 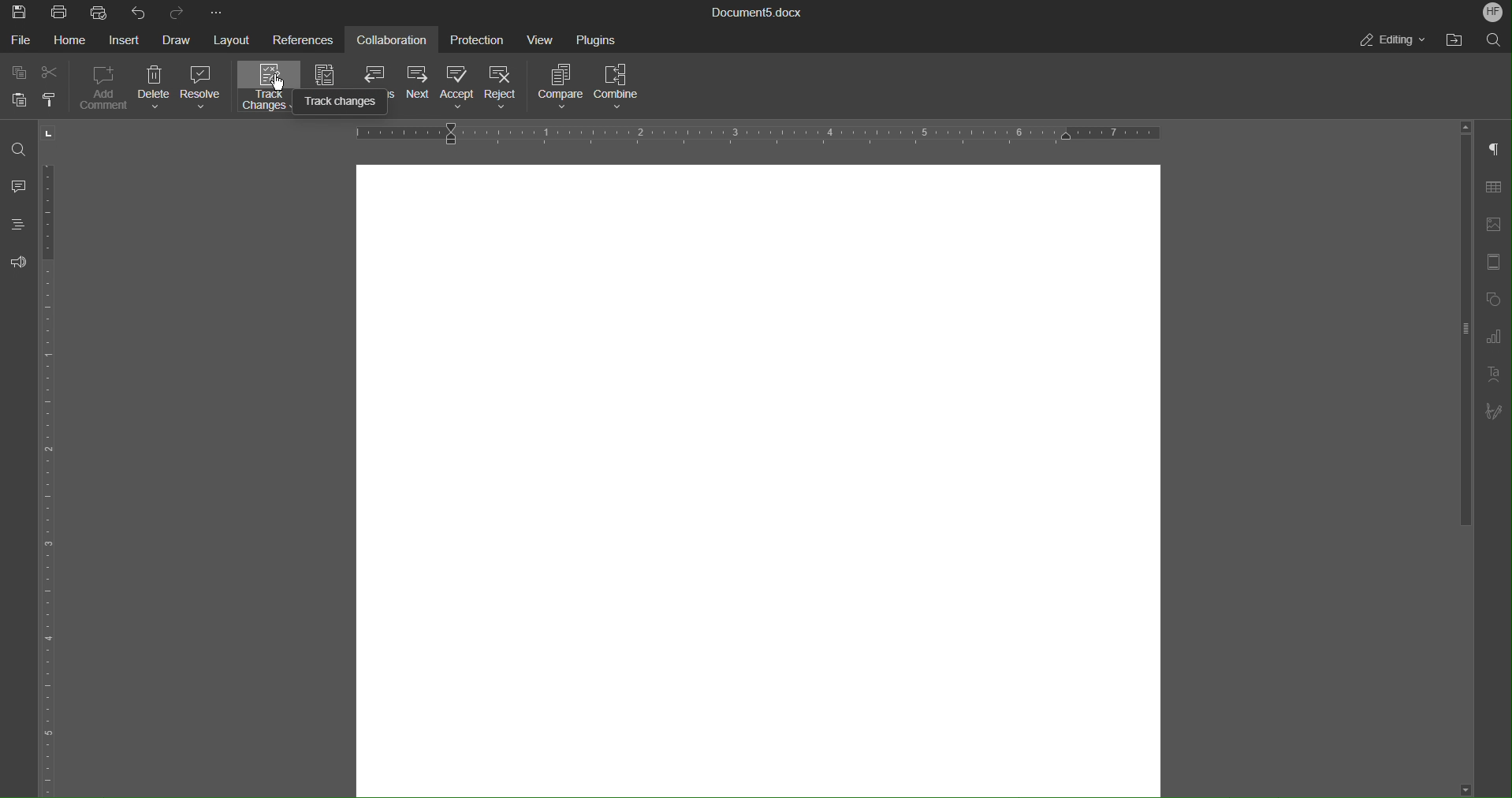 I want to click on Next , so click(x=423, y=89).